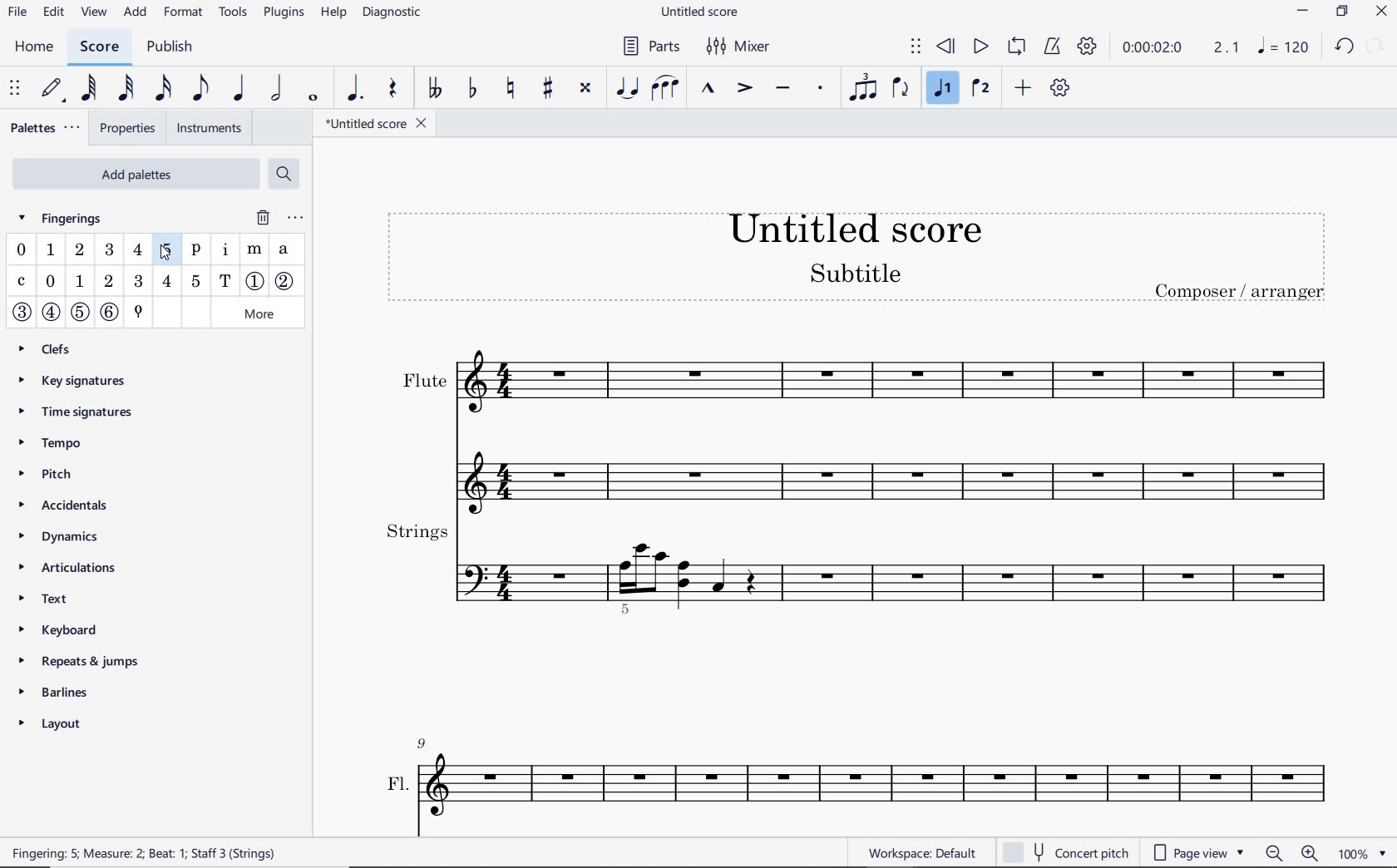  What do you see at coordinates (136, 13) in the screenshot?
I see `add` at bounding box center [136, 13].